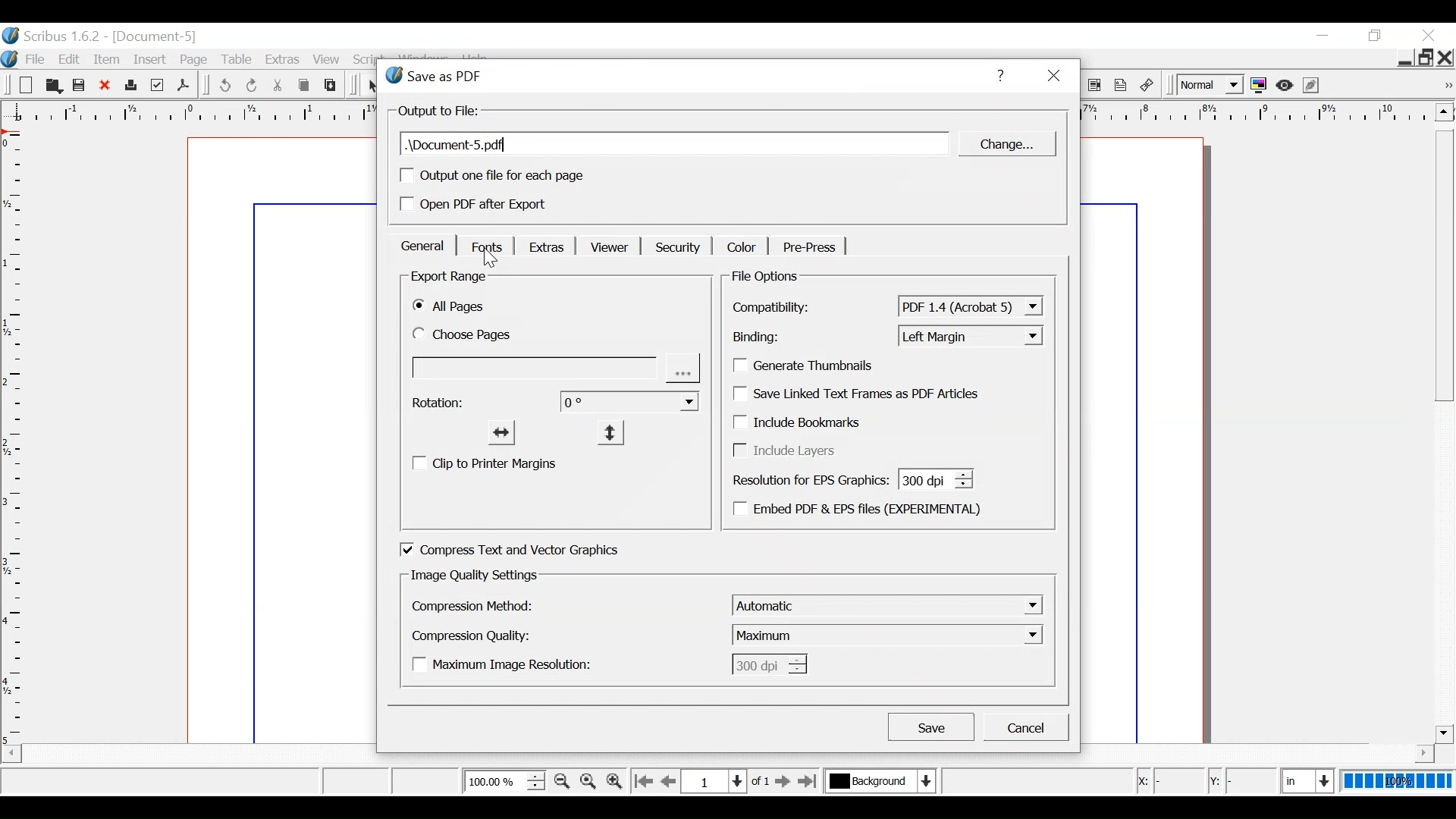 This screenshot has height=819, width=1456. Describe the element at coordinates (806, 247) in the screenshot. I see `Pre-Press` at that location.